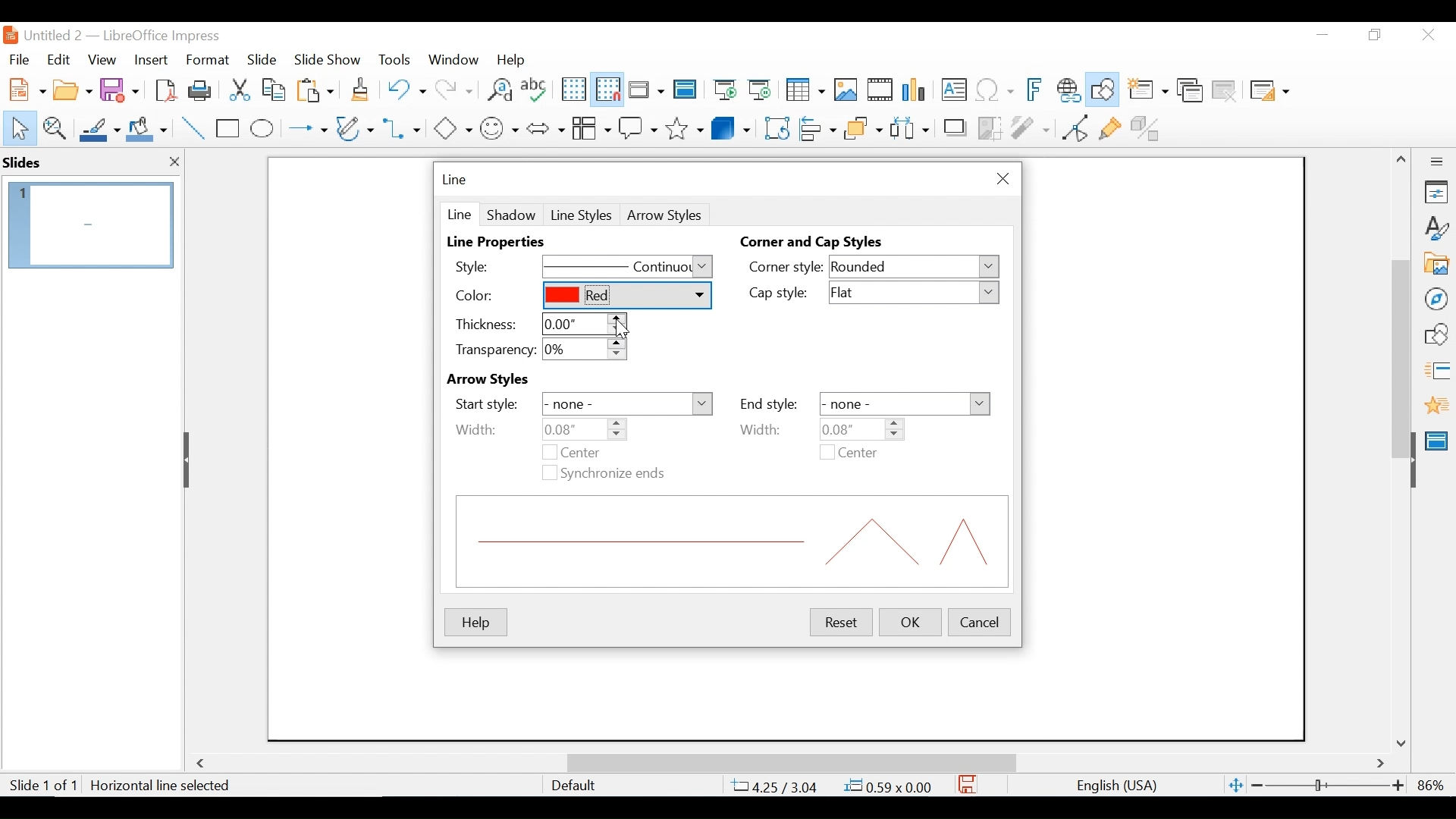  What do you see at coordinates (771, 429) in the screenshot?
I see `Width` at bounding box center [771, 429].